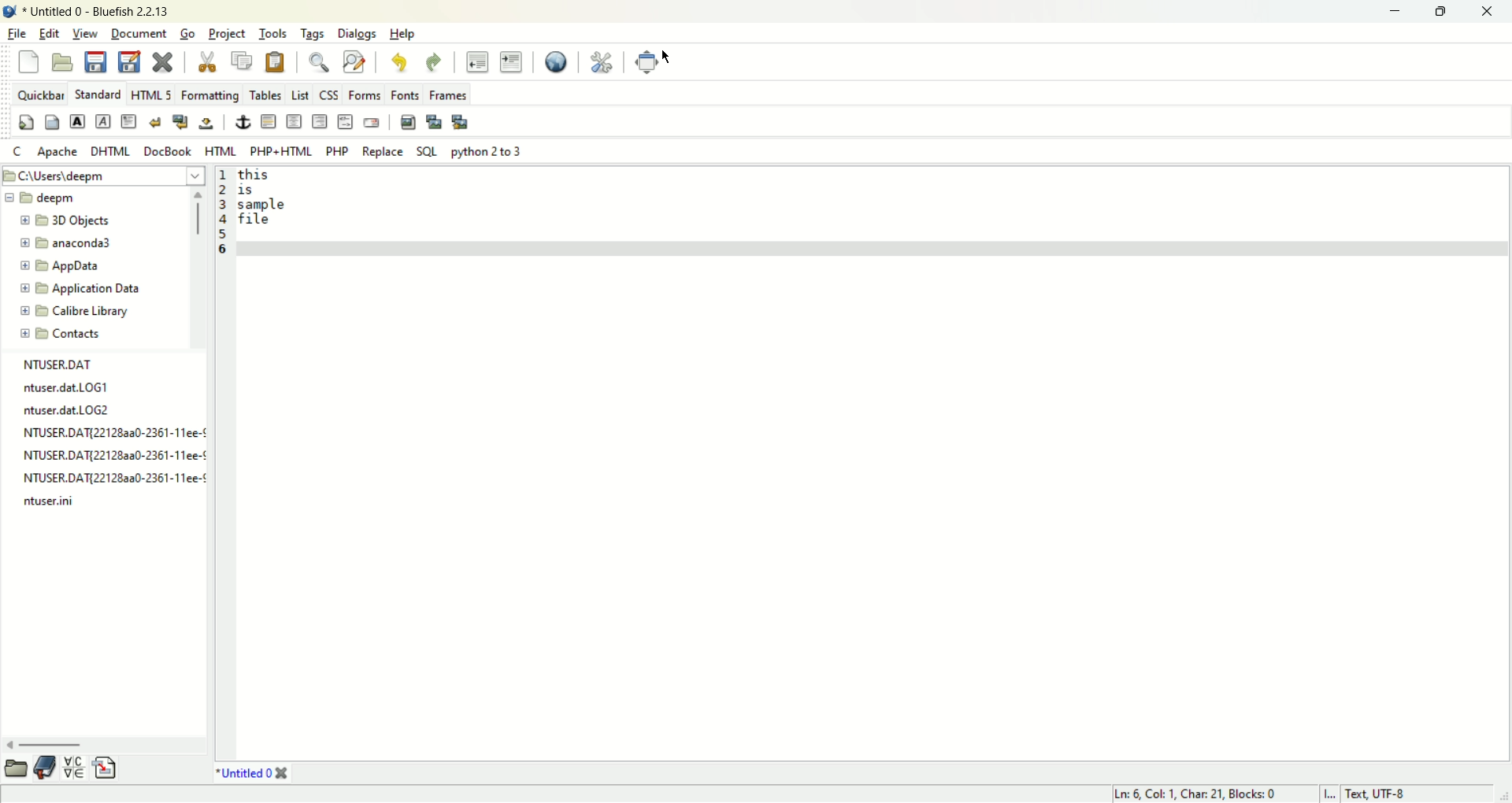 The width and height of the screenshot is (1512, 803). Describe the element at coordinates (110, 152) in the screenshot. I see `DHTML` at that location.